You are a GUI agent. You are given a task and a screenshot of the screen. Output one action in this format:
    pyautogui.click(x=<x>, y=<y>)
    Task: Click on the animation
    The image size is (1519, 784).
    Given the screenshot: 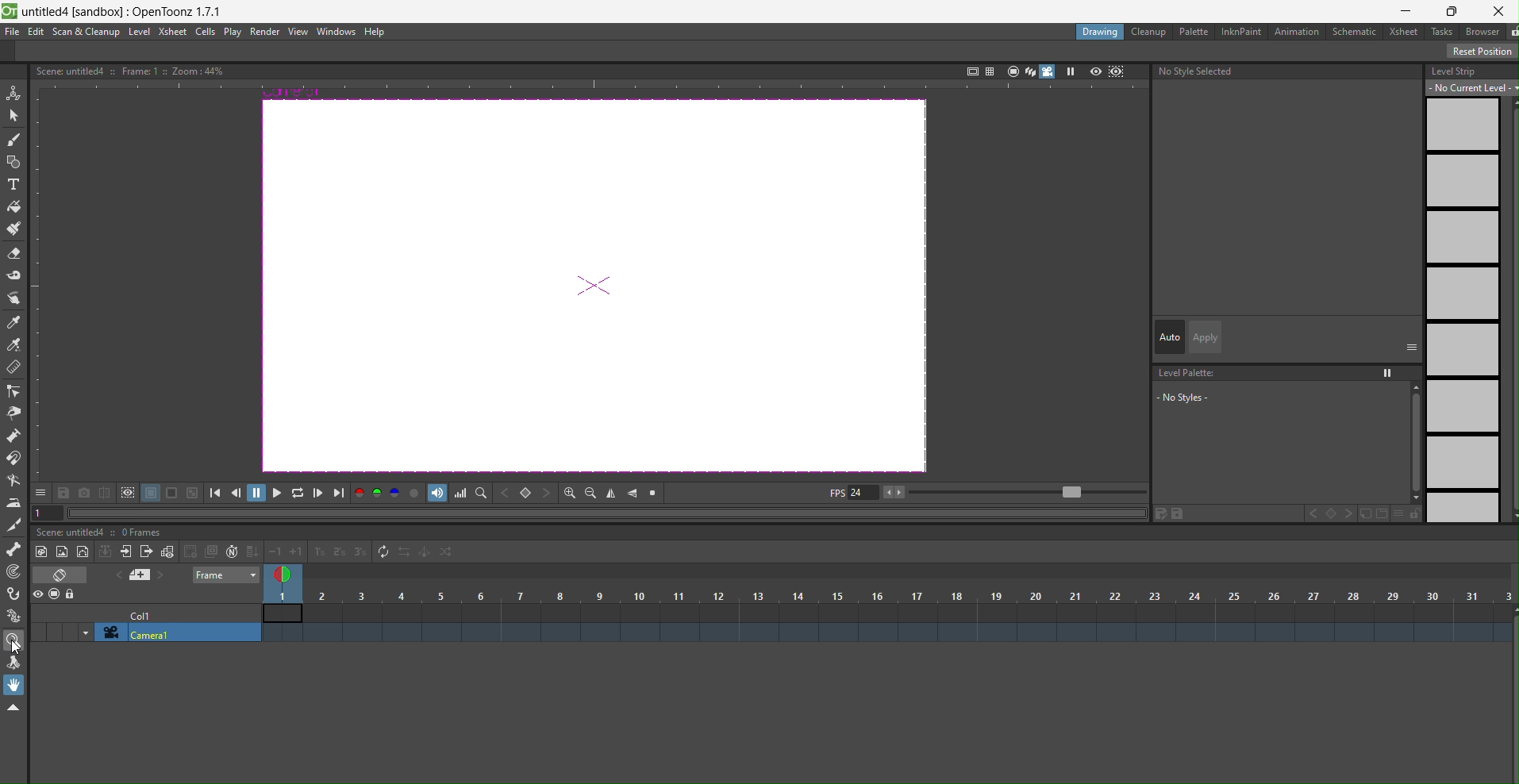 What is the action you would take?
    pyautogui.click(x=1298, y=31)
    